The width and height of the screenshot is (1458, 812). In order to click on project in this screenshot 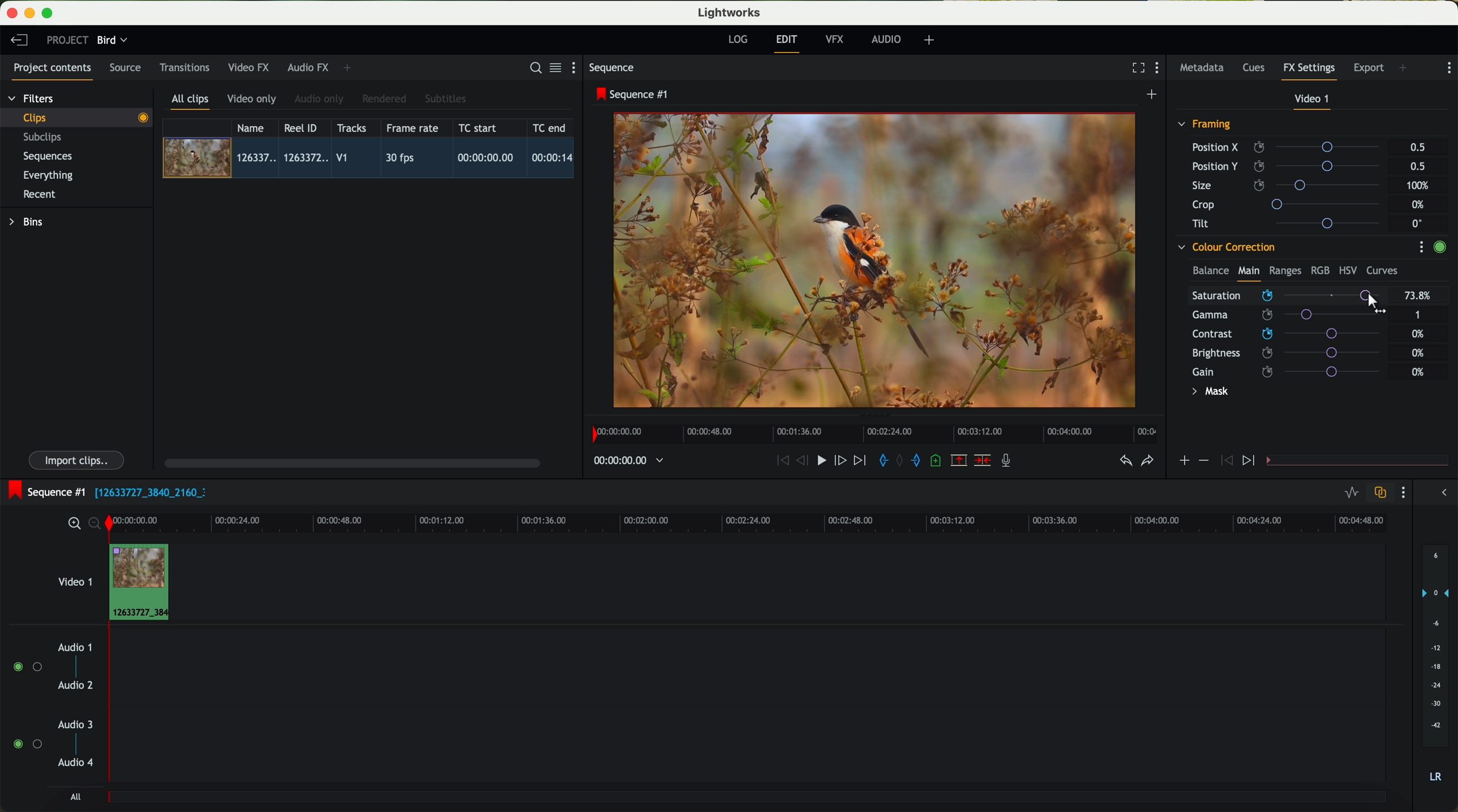, I will do `click(67, 40)`.